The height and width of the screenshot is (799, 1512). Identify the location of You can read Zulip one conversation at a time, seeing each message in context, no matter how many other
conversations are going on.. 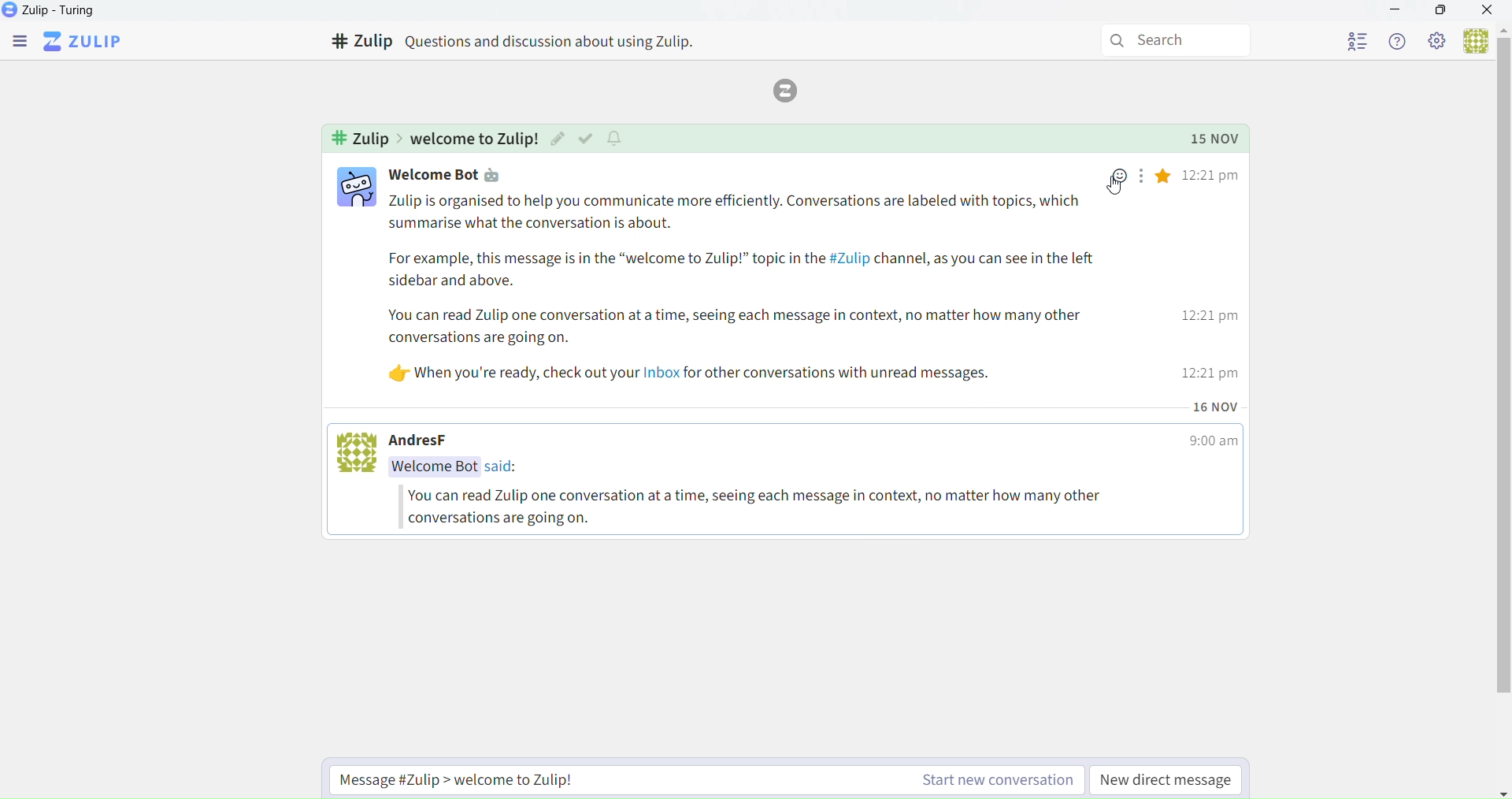
(770, 507).